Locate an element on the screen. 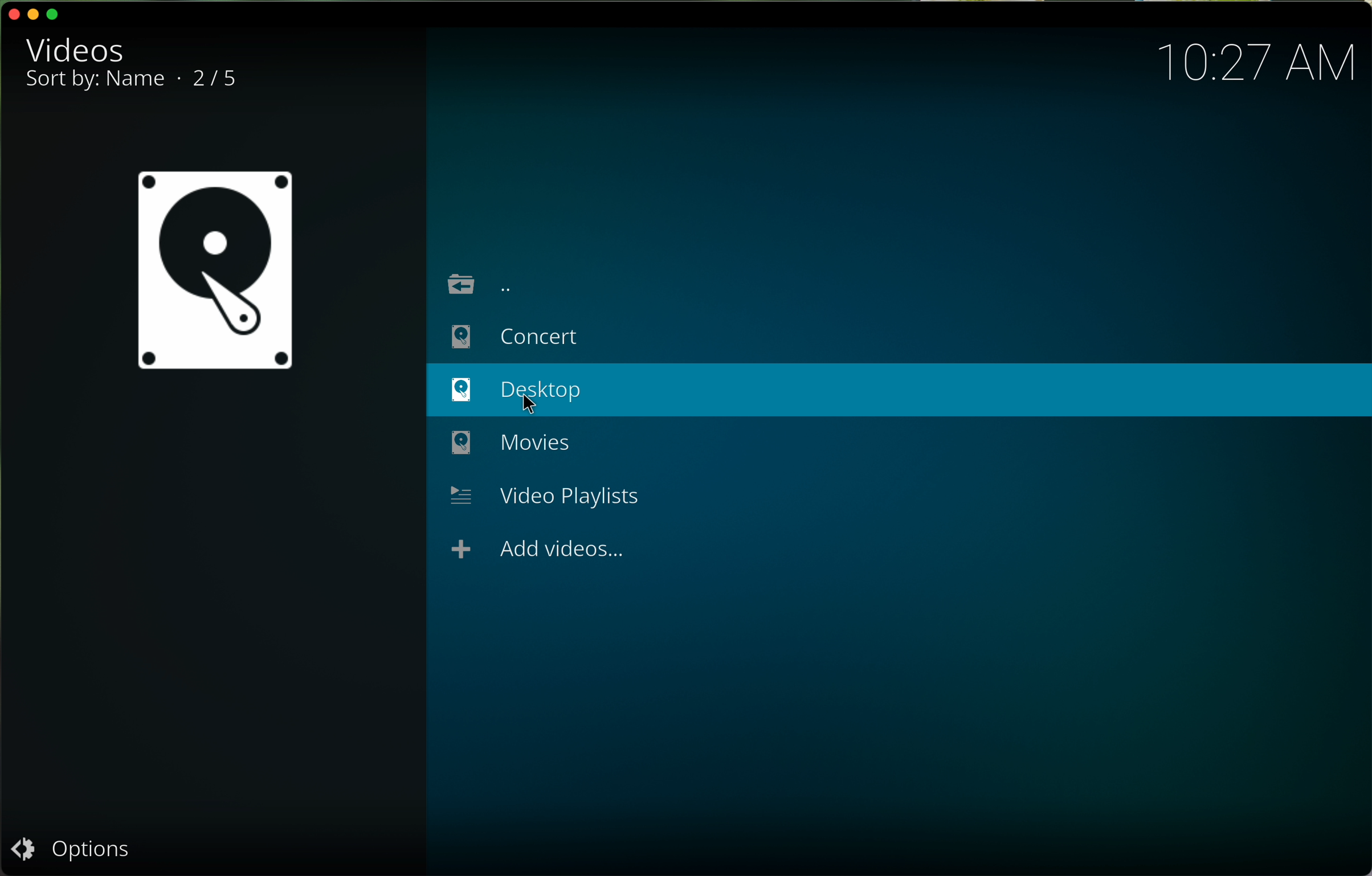 Image resolution: width=1372 pixels, height=876 pixels. minimise is located at coordinates (35, 14).